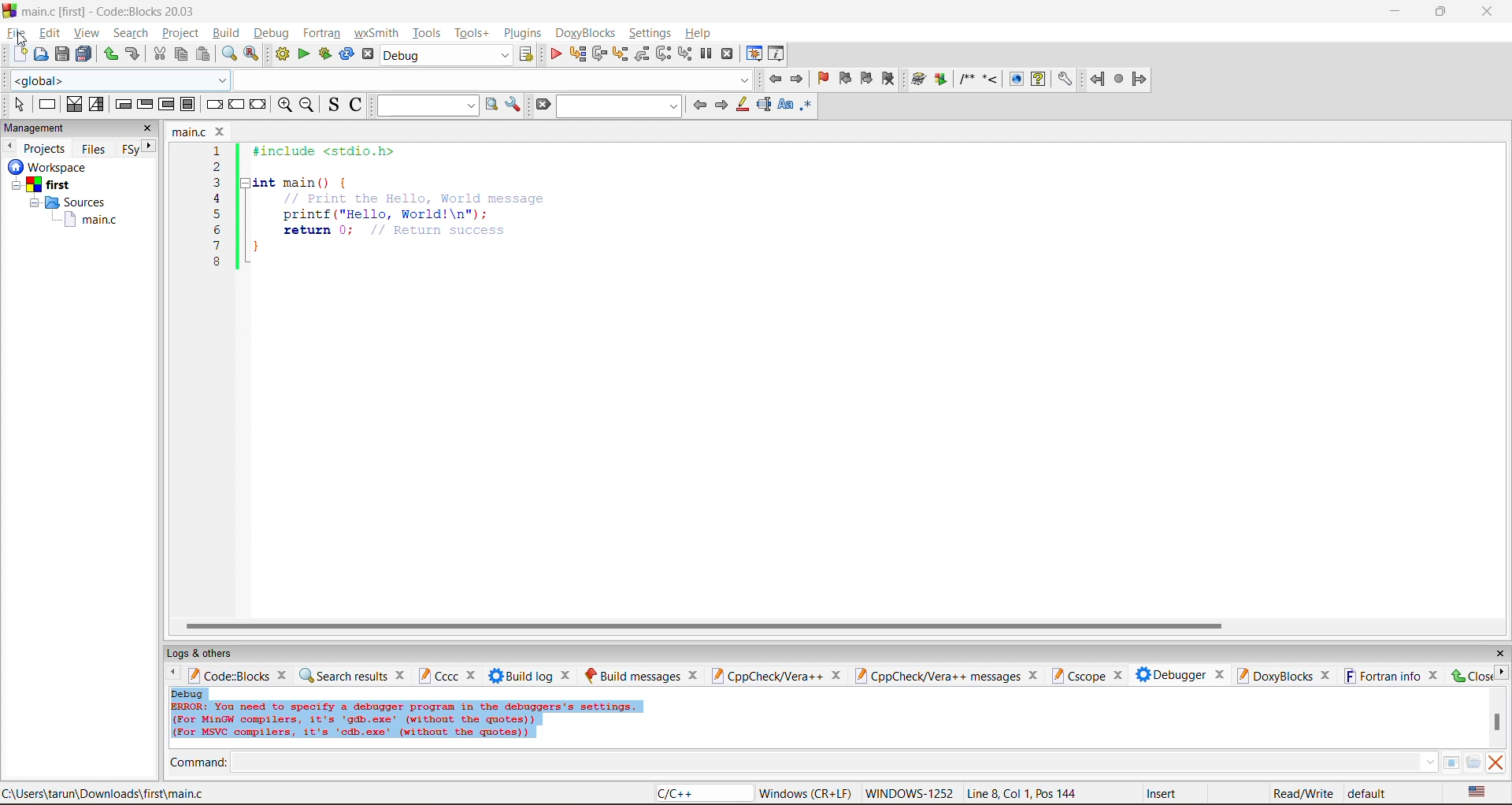 The width and height of the screenshot is (1512, 805). Describe the element at coordinates (773, 79) in the screenshot. I see `jump back` at that location.